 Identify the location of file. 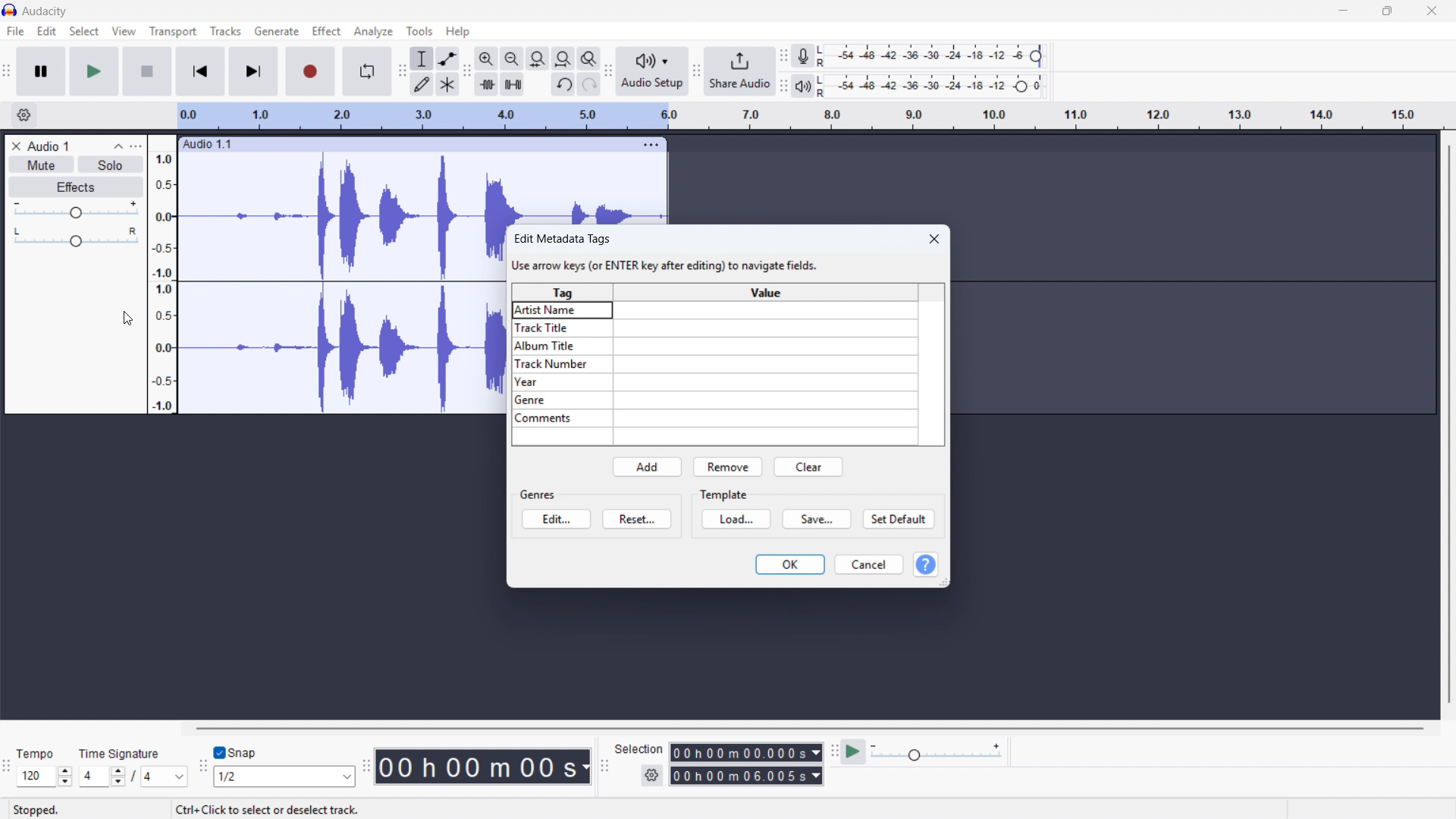
(17, 32).